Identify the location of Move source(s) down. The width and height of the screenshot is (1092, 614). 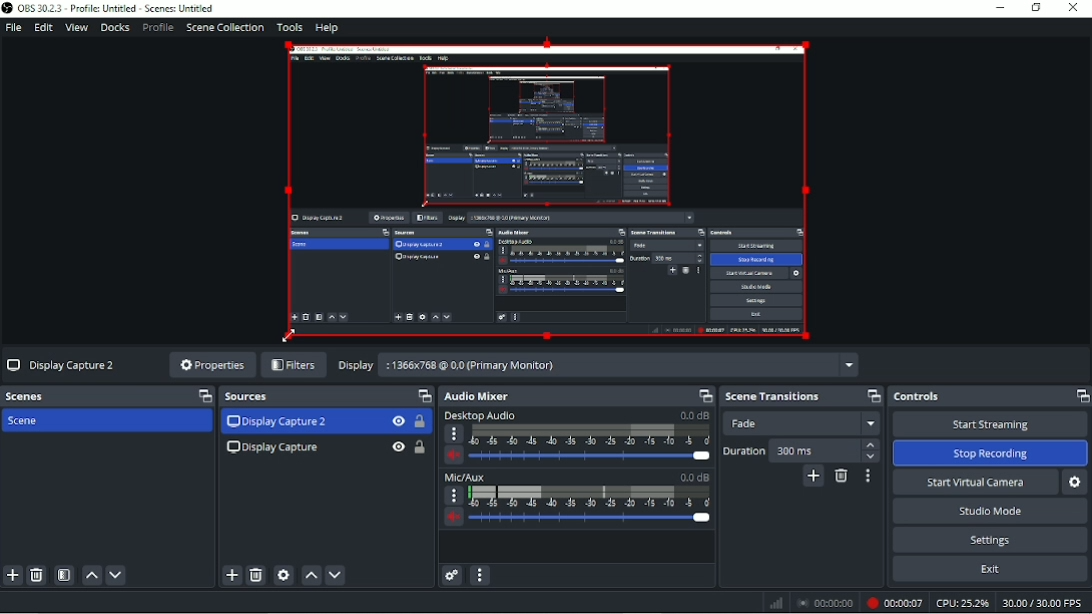
(336, 576).